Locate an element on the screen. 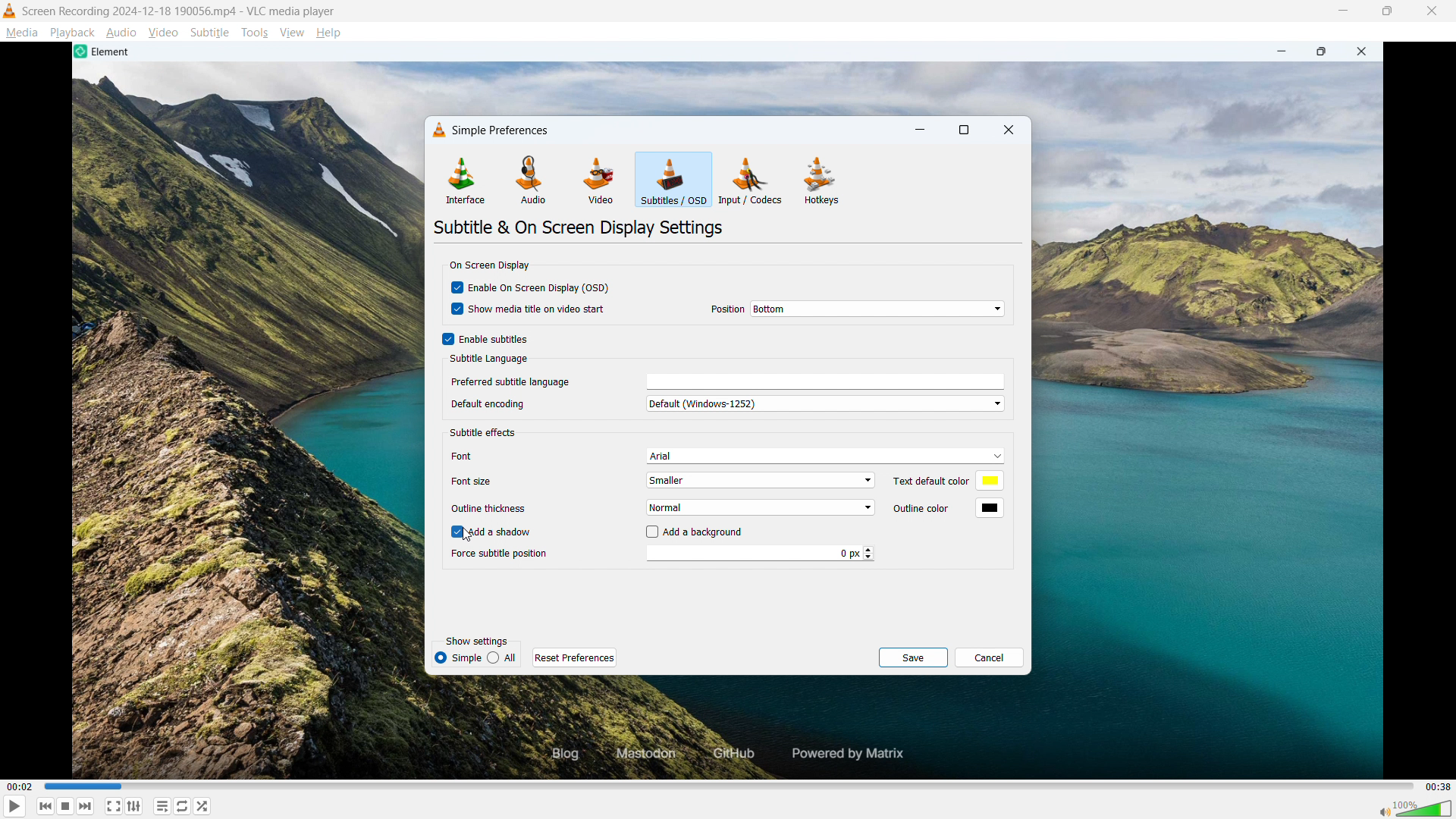 This screenshot has height=819, width=1456. Smaller is located at coordinates (762, 480).